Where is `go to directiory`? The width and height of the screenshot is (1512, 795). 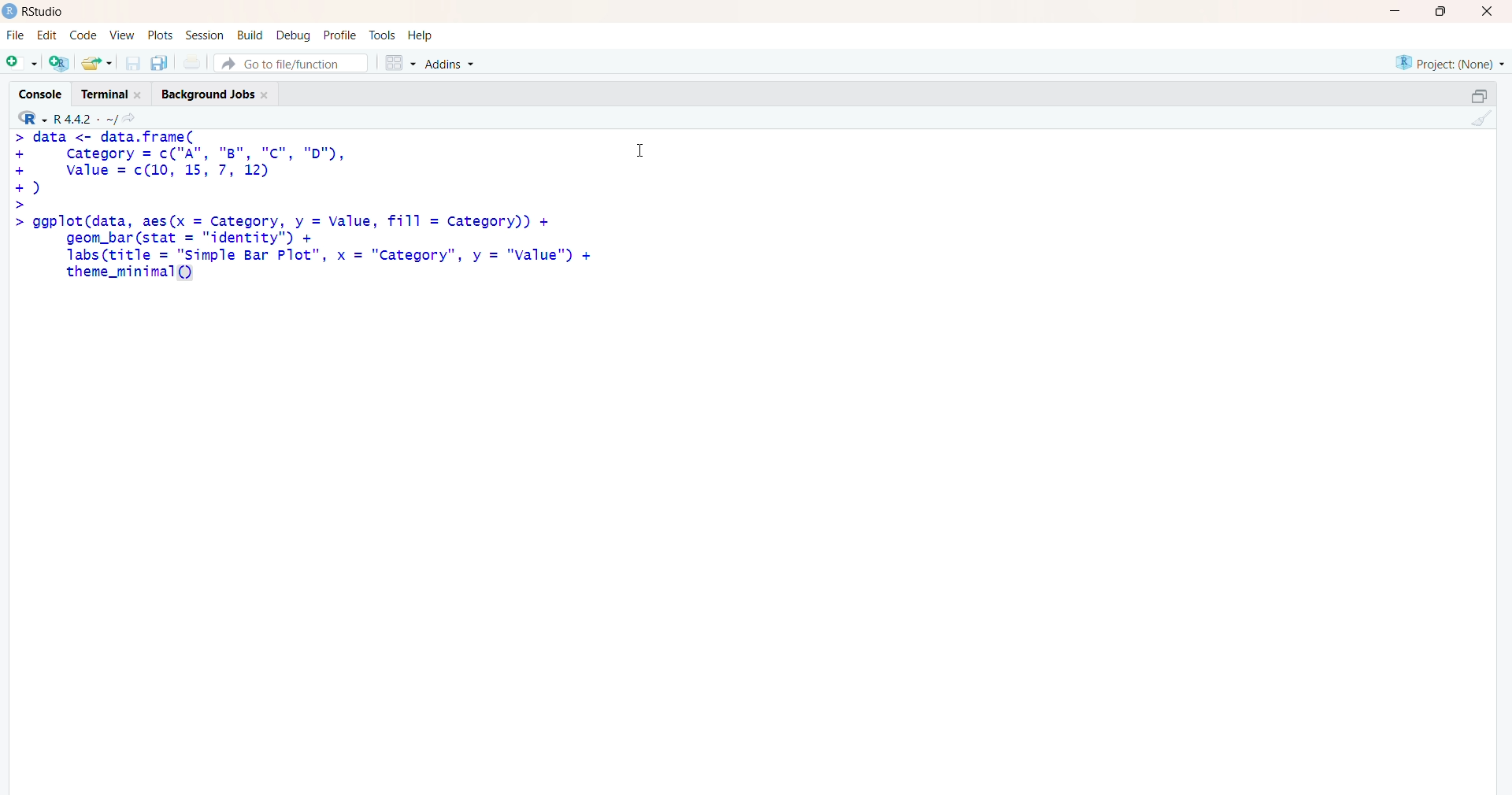 go to directiory is located at coordinates (133, 118).